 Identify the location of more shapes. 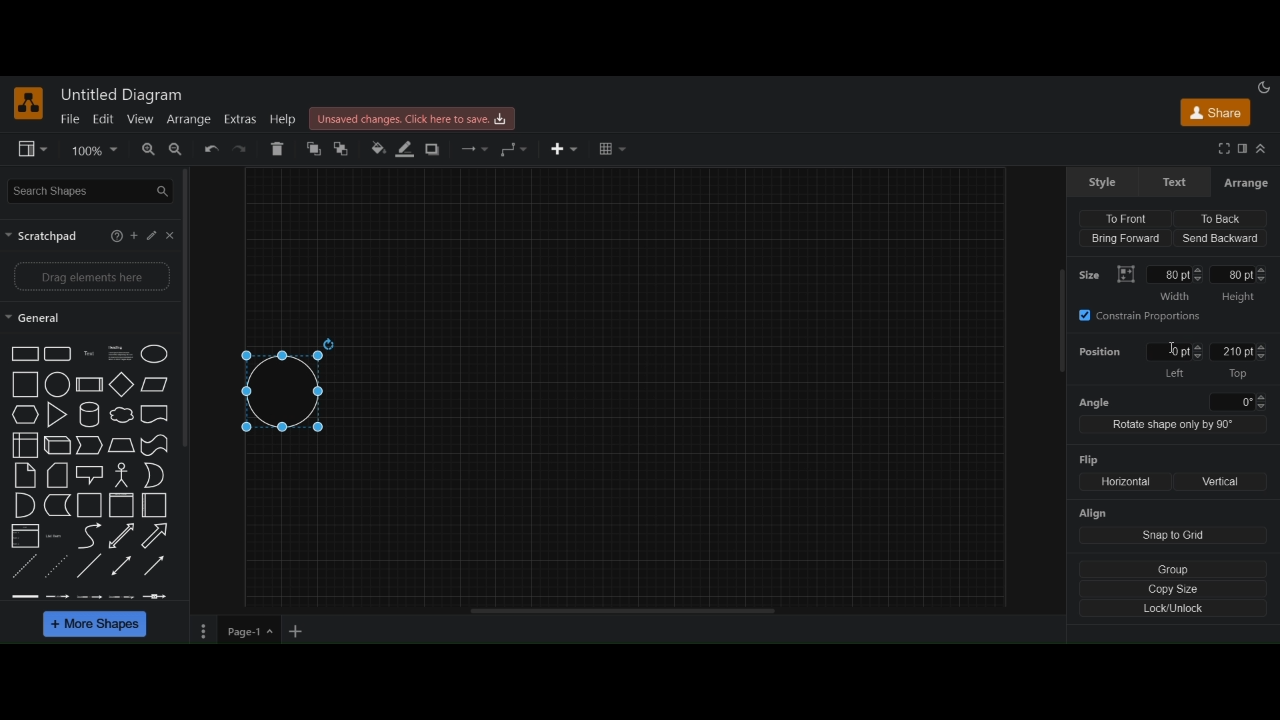
(97, 626).